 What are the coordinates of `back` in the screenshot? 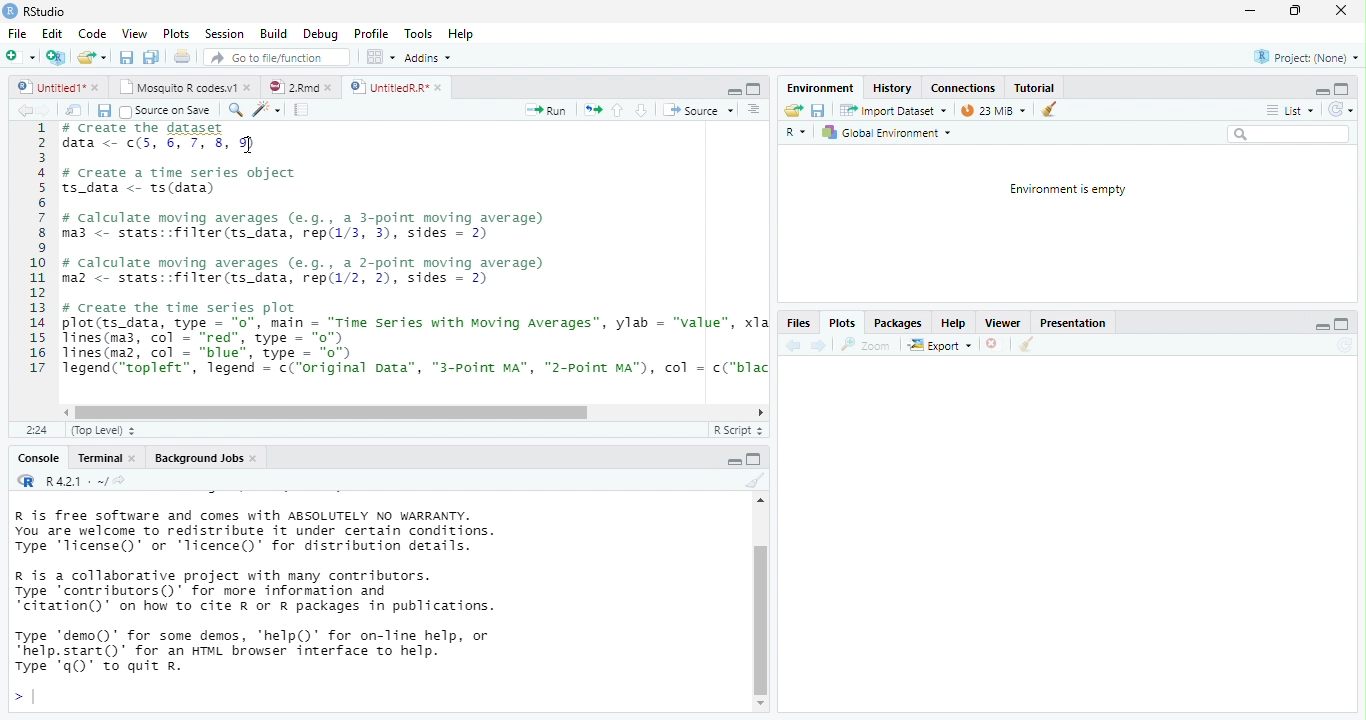 It's located at (24, 110).